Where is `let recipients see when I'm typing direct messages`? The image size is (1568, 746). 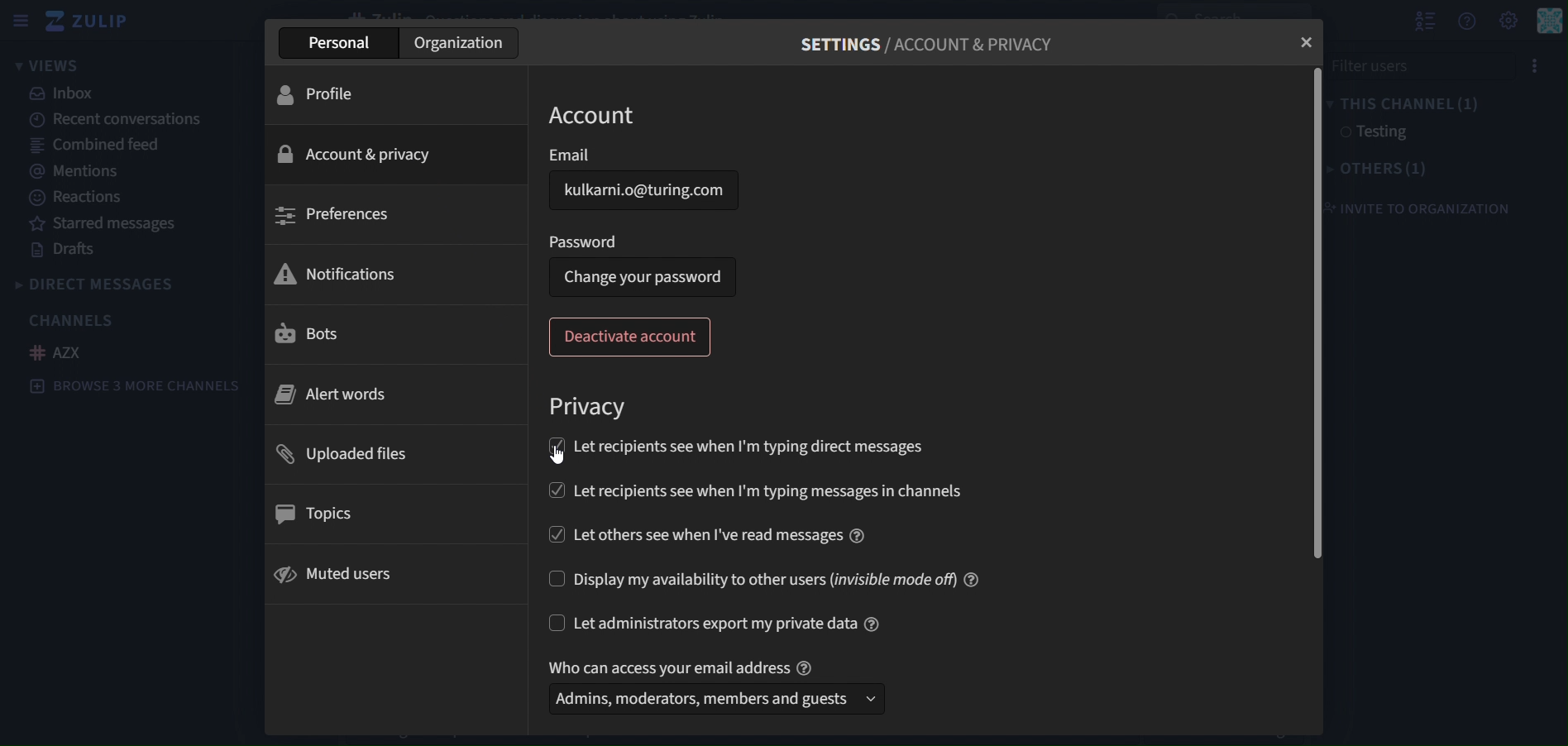 let recipients see when I'm typing direct messages is located at coordinates (738, 443).